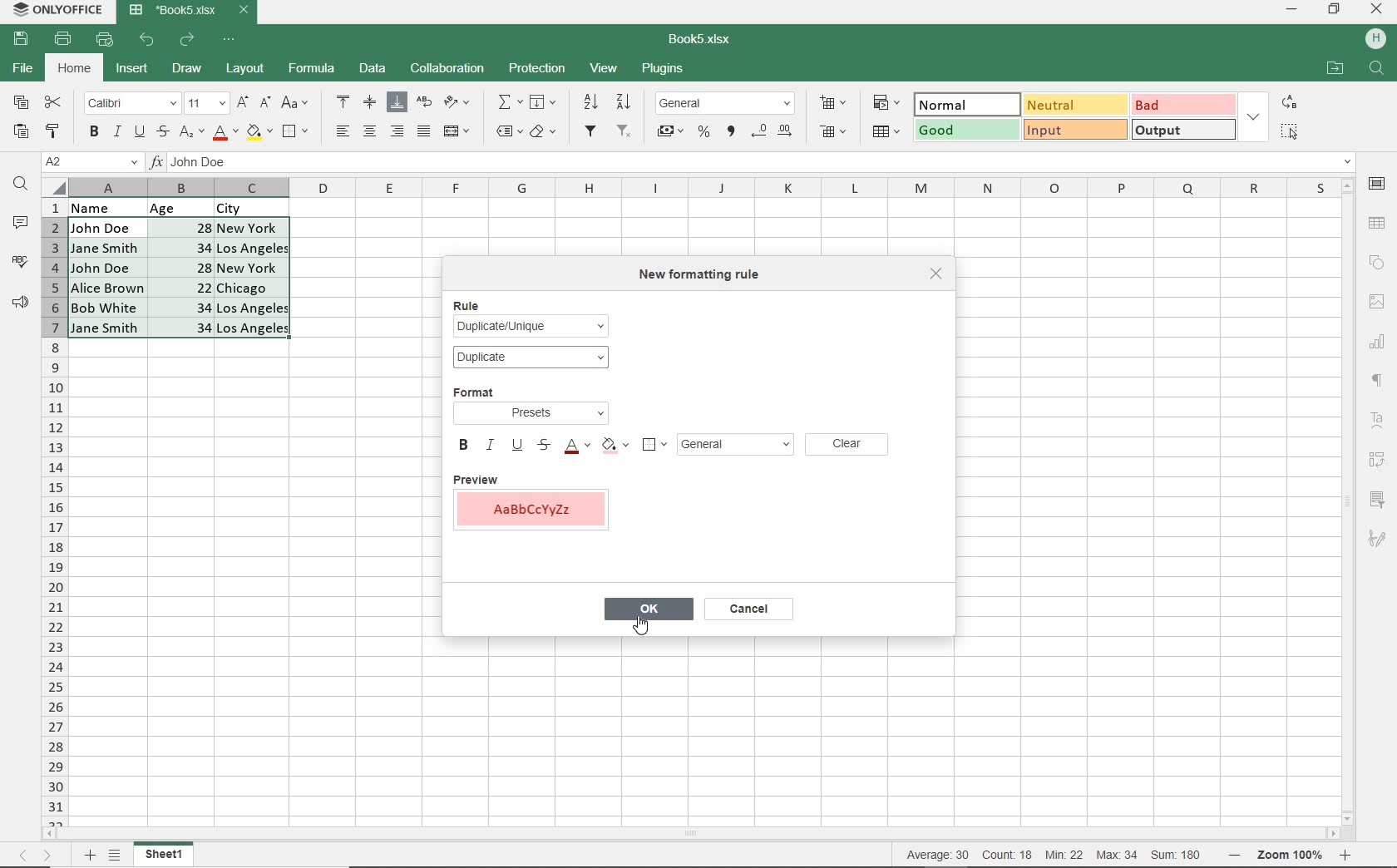 This screenshot has height=868, width=1397. I want to click on DATA, so click(192, 206).